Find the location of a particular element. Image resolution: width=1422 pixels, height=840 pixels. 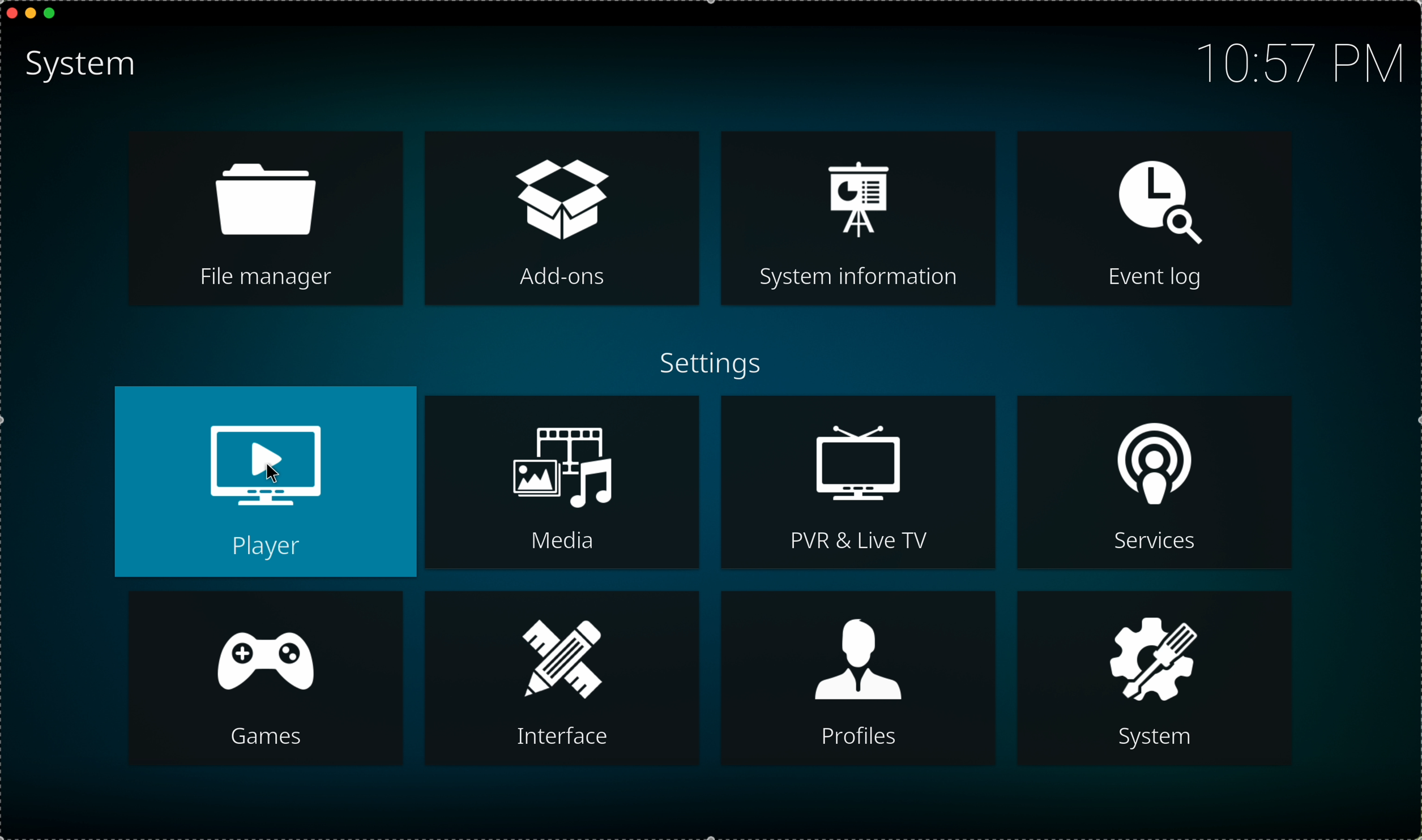

file manager is located at coordinates (267, 221).